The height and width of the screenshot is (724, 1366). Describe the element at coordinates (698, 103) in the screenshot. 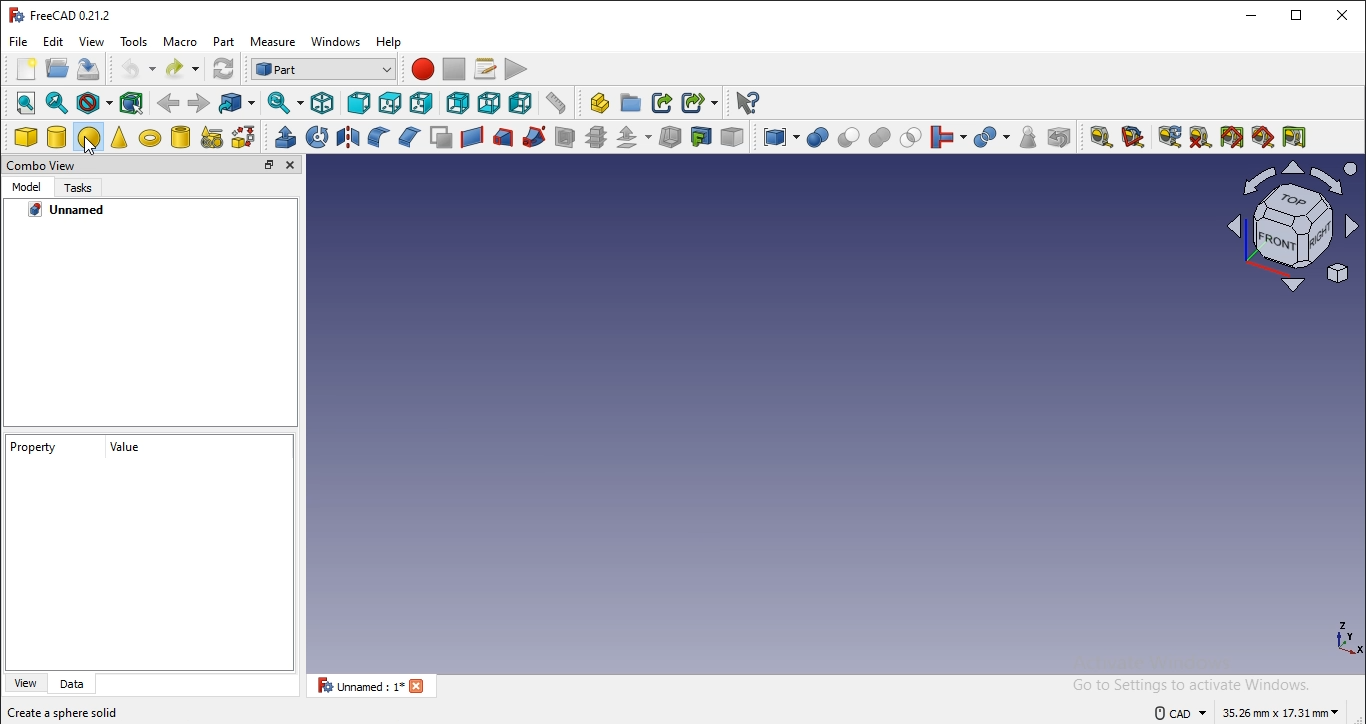

I see `make sublink` at that location.